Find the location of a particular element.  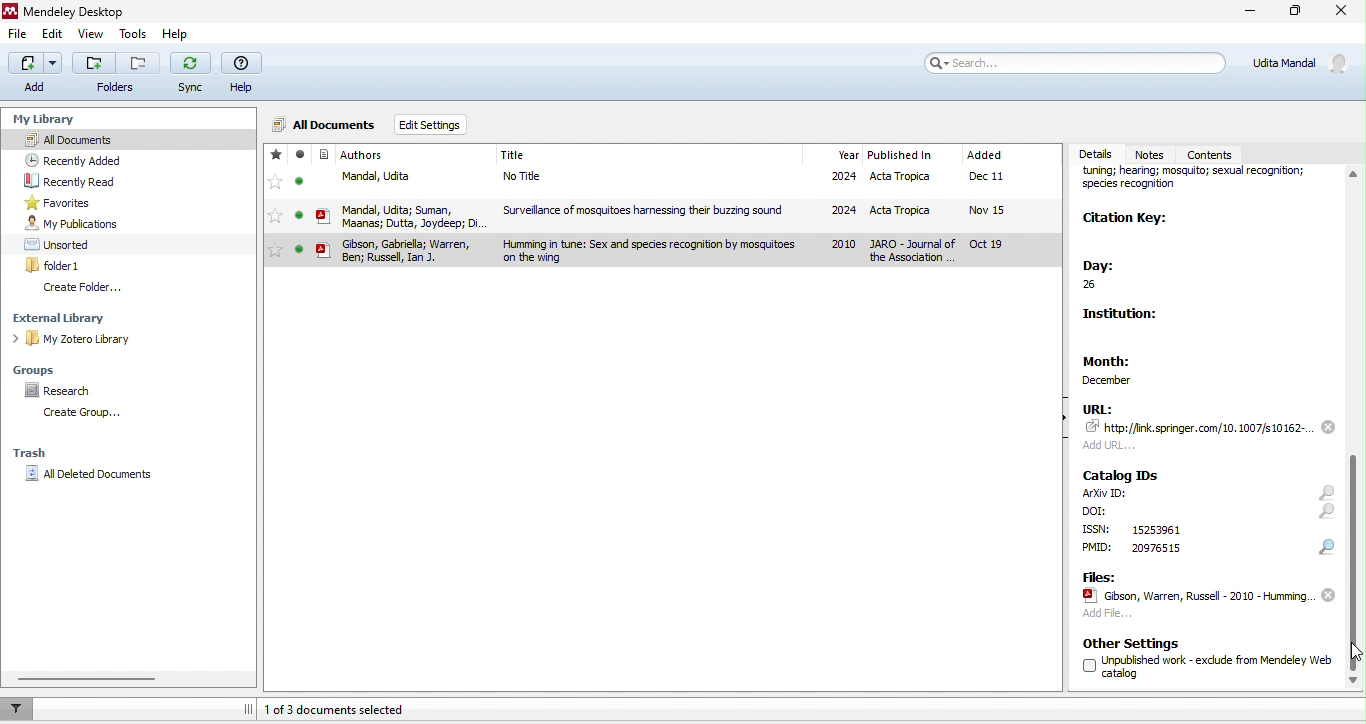

journal author name is located at coordinates (363, 155).